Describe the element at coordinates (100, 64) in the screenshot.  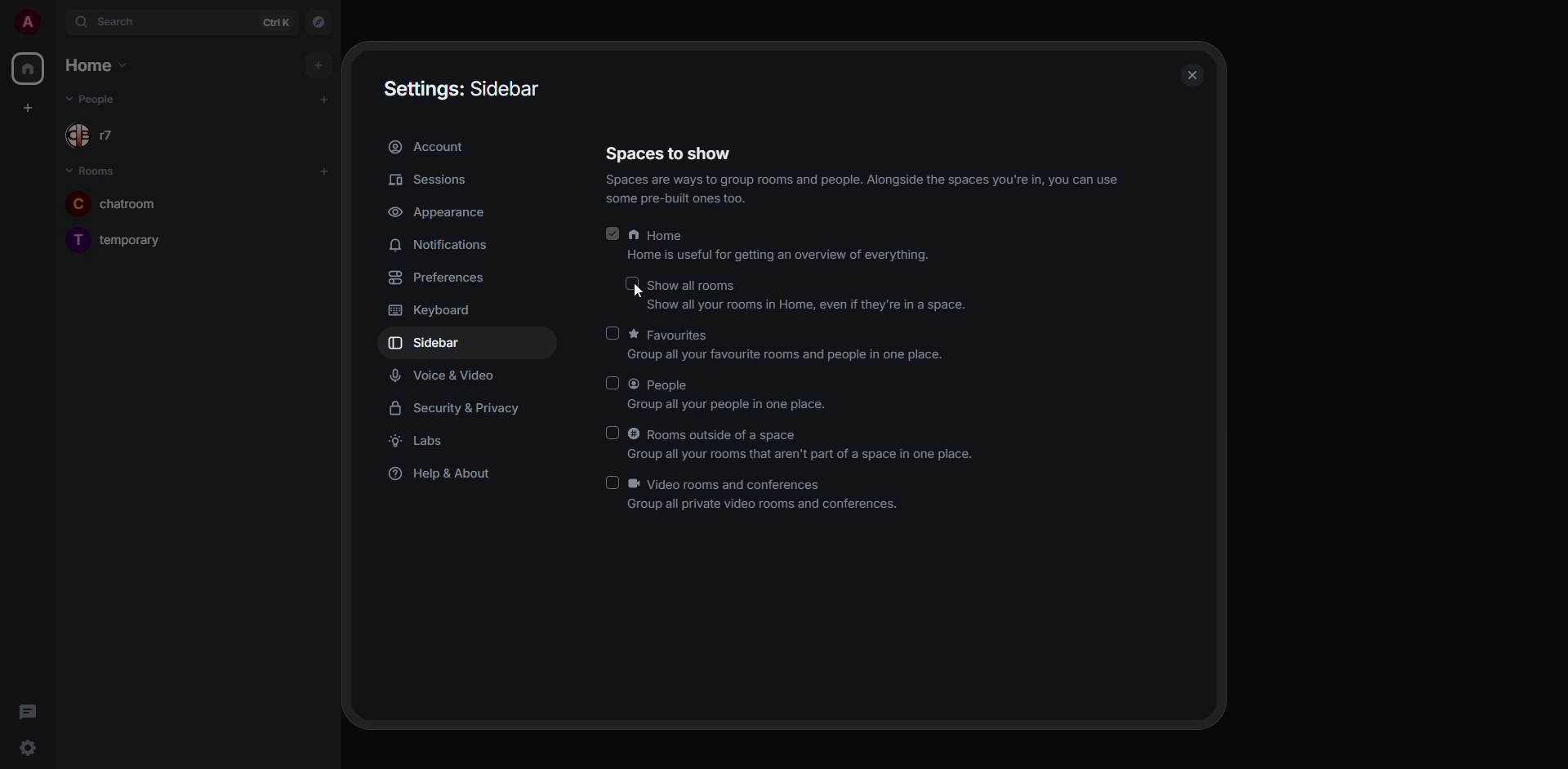
I see `home` at that location.